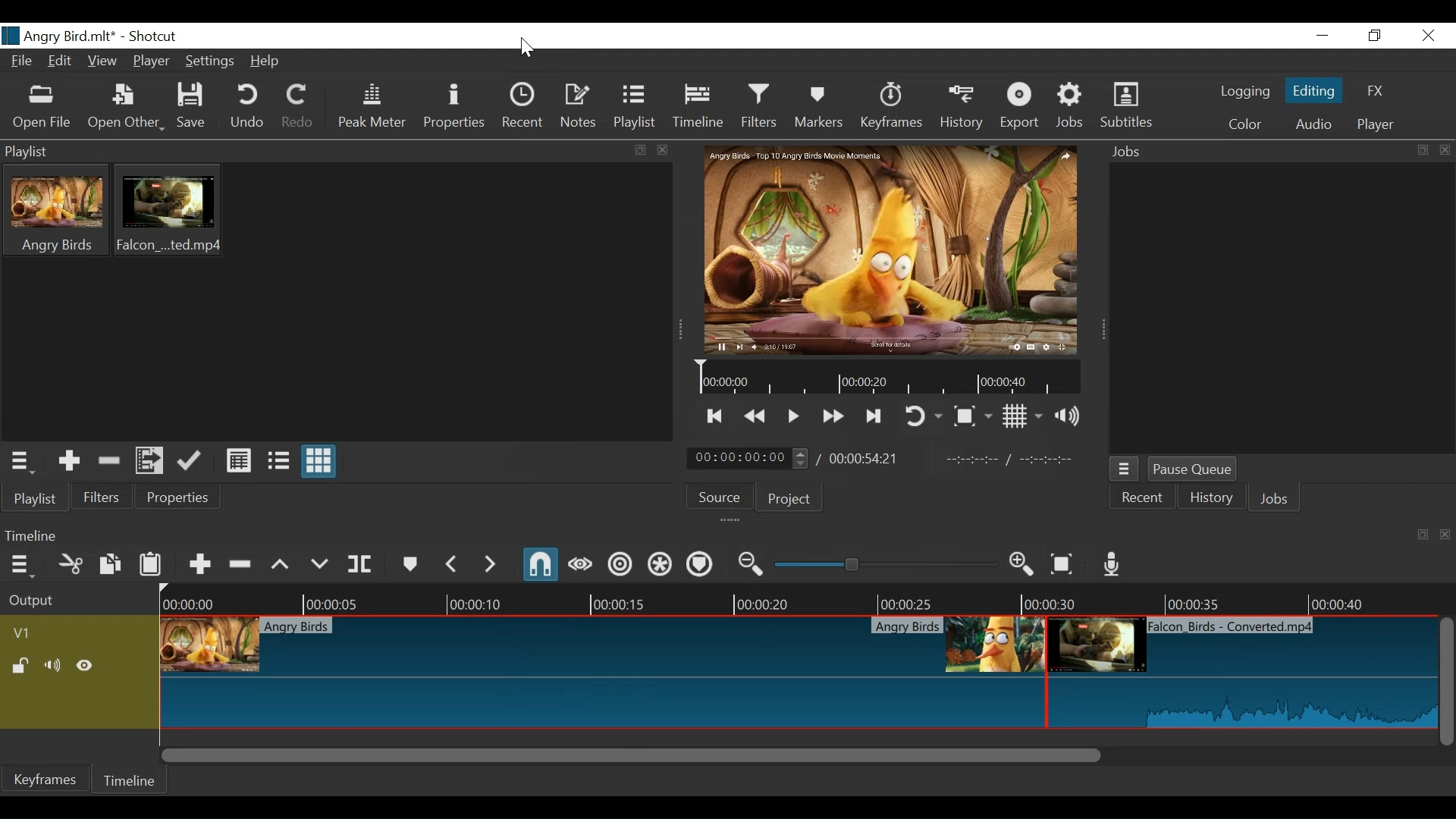  I want to click on Jobs Panel, so click(1281, 152).